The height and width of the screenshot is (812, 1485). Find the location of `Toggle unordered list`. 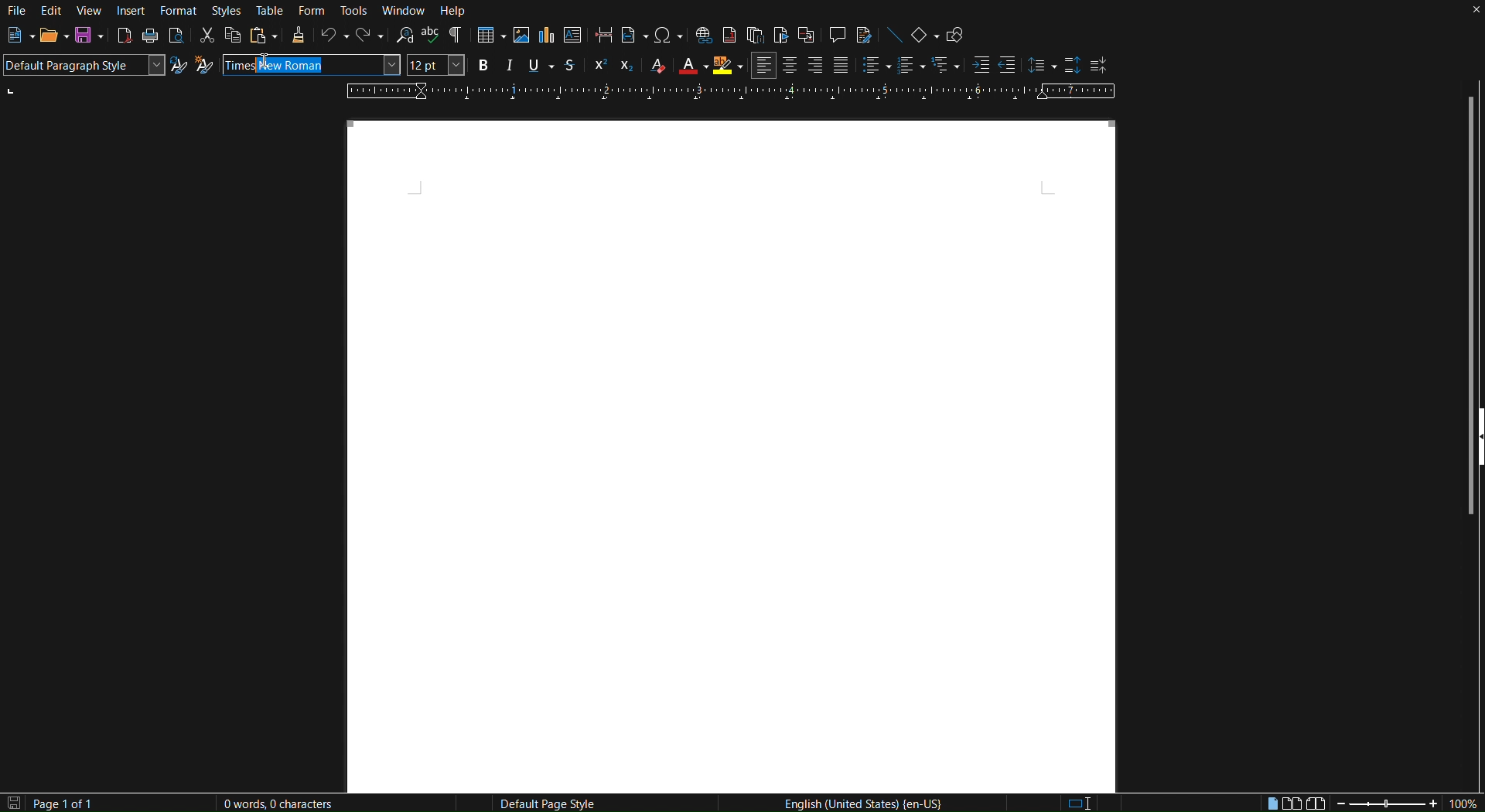

Toggle unordered list is located at coordinates (873, 67).